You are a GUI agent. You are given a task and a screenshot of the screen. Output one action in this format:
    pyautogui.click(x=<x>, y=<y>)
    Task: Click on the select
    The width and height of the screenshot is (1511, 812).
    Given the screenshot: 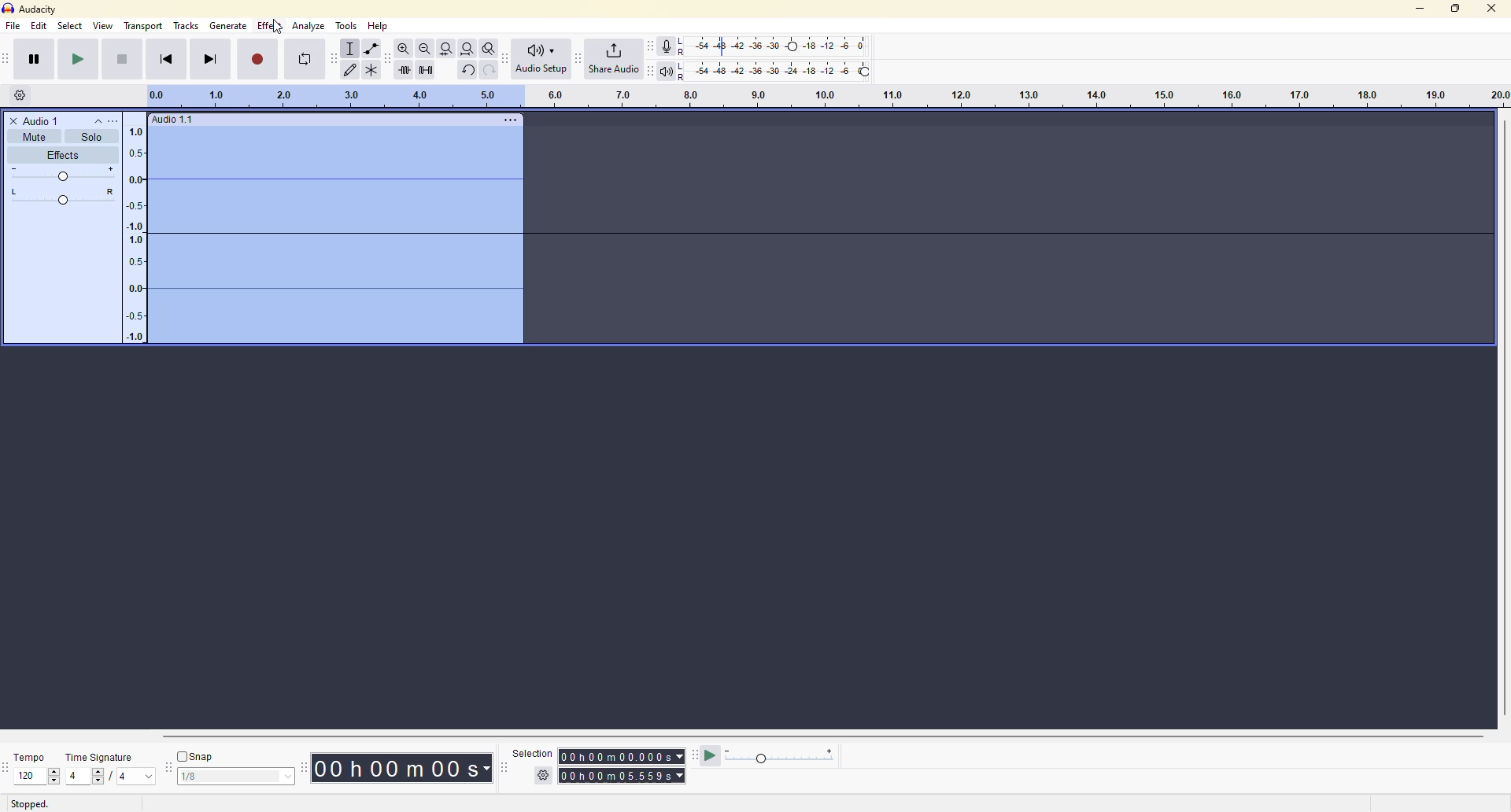 What is the action you would take?
    pyautogui.click(x=101, y=777)
    